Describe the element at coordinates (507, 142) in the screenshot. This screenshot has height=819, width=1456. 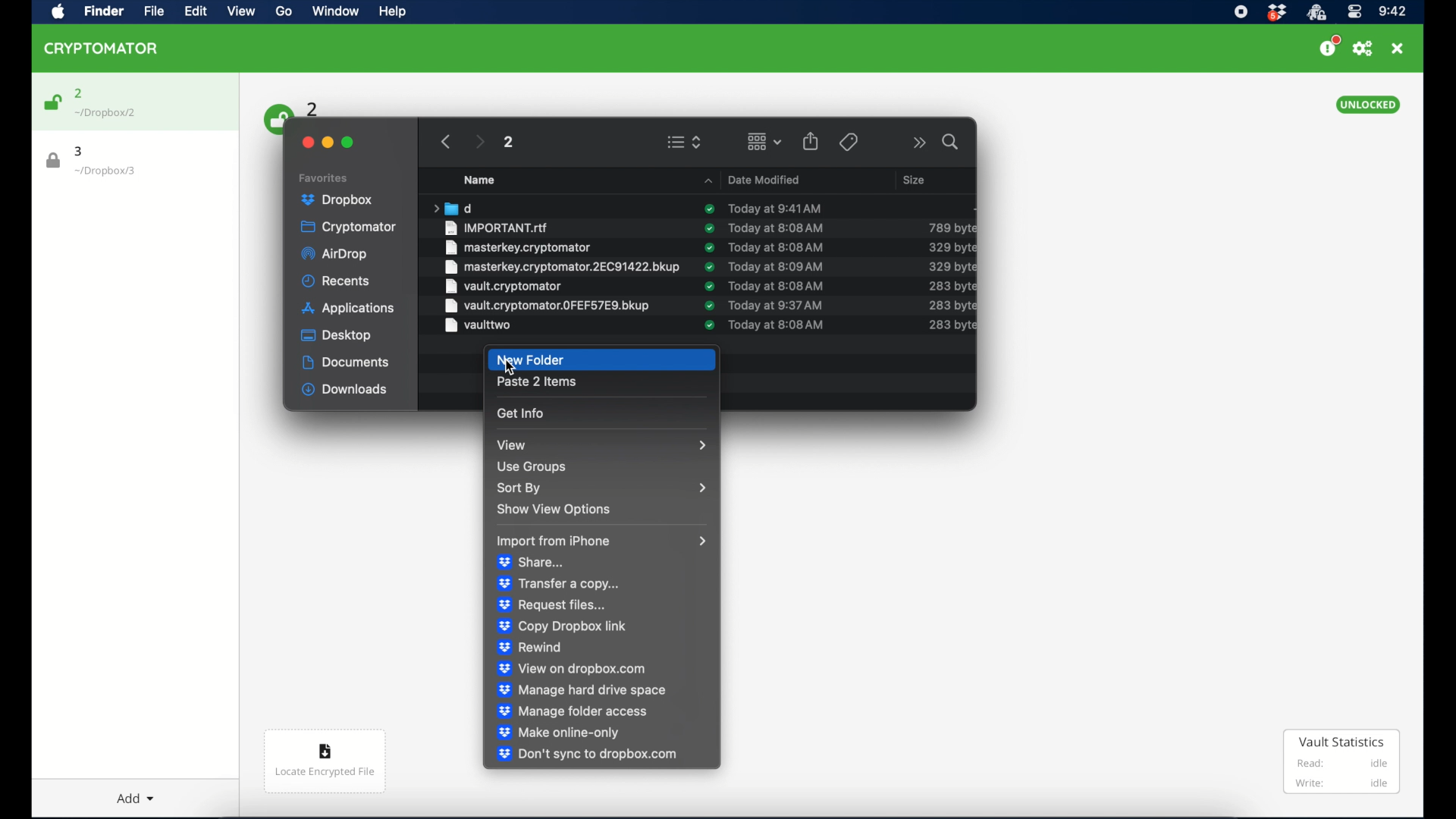
I see `2` at that location.